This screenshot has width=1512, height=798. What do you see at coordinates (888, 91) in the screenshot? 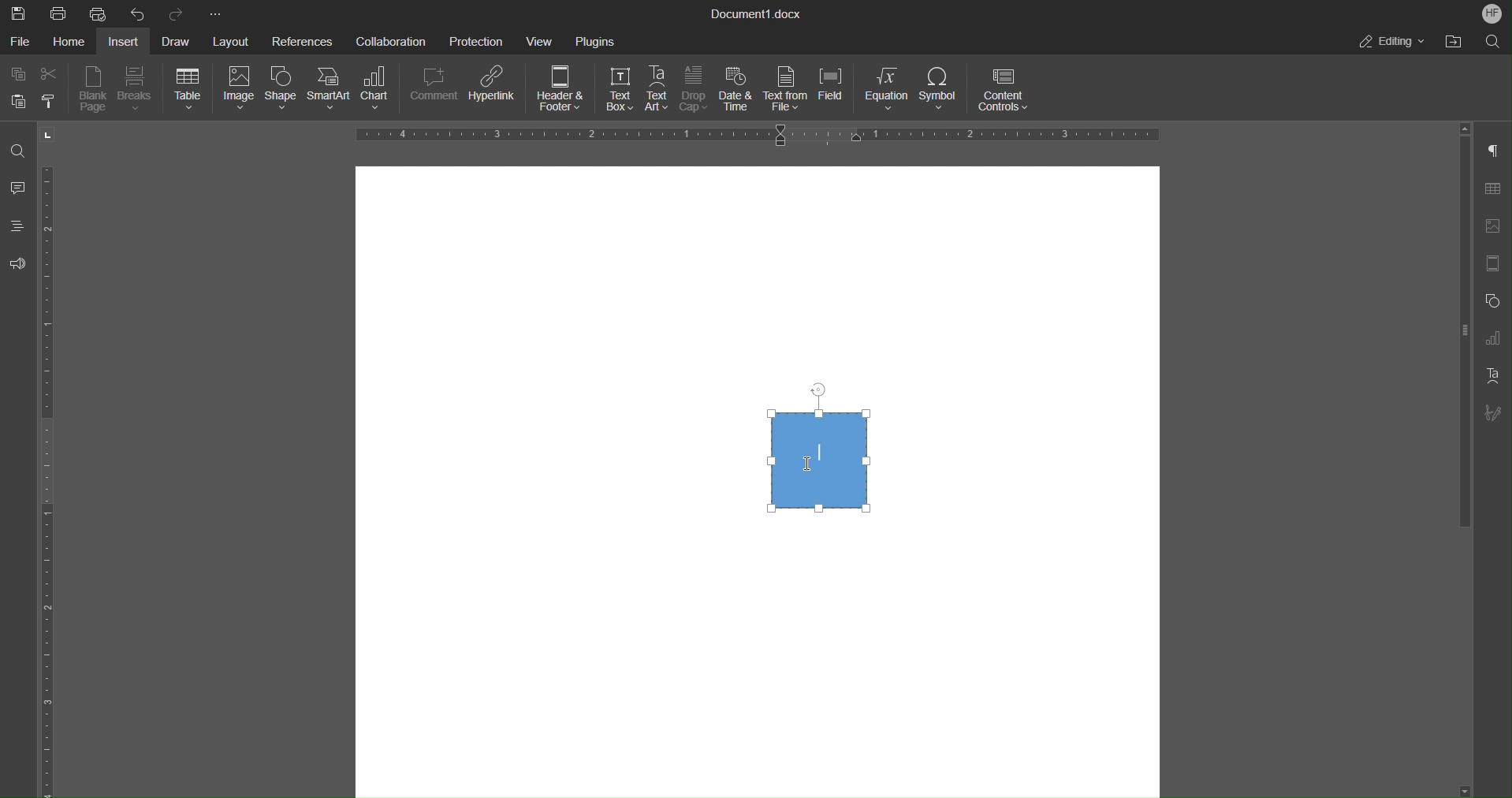
I see `Equation` at bounding box center [888, 91].